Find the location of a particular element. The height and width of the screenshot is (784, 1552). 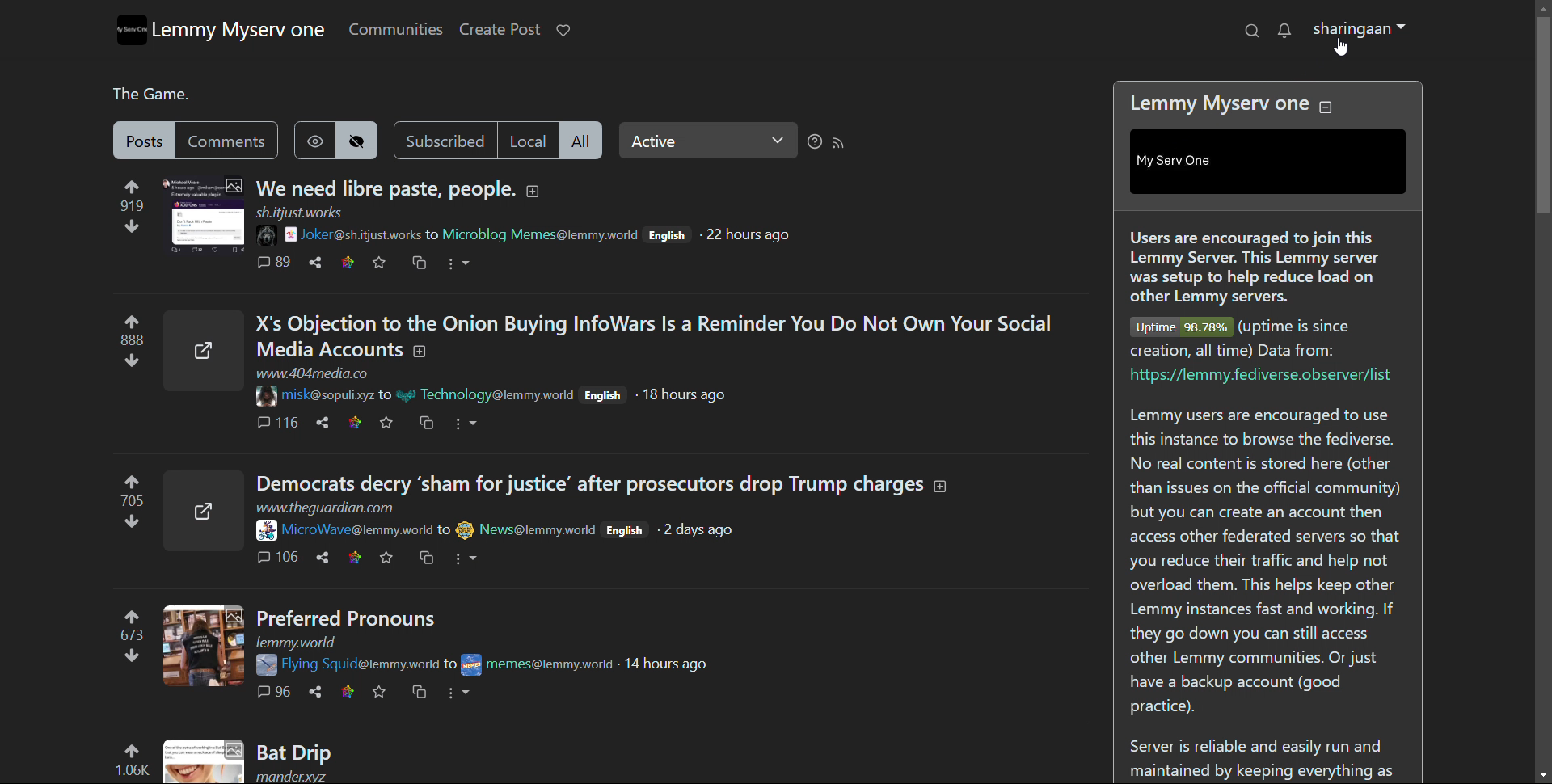

cross post is located at coordinates (427, 425).